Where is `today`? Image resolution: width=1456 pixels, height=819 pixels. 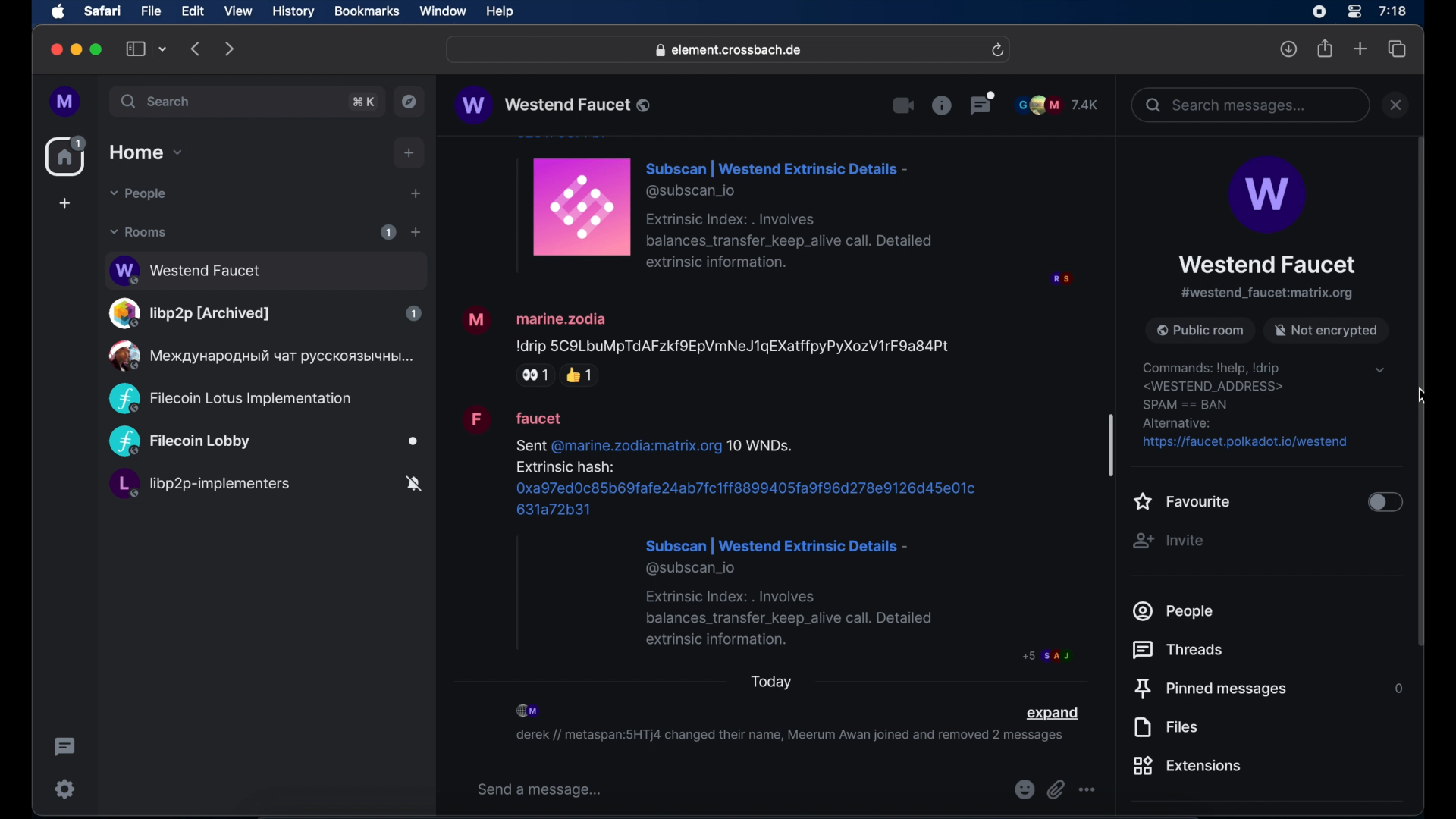
today is located at coordinates (772, 682).